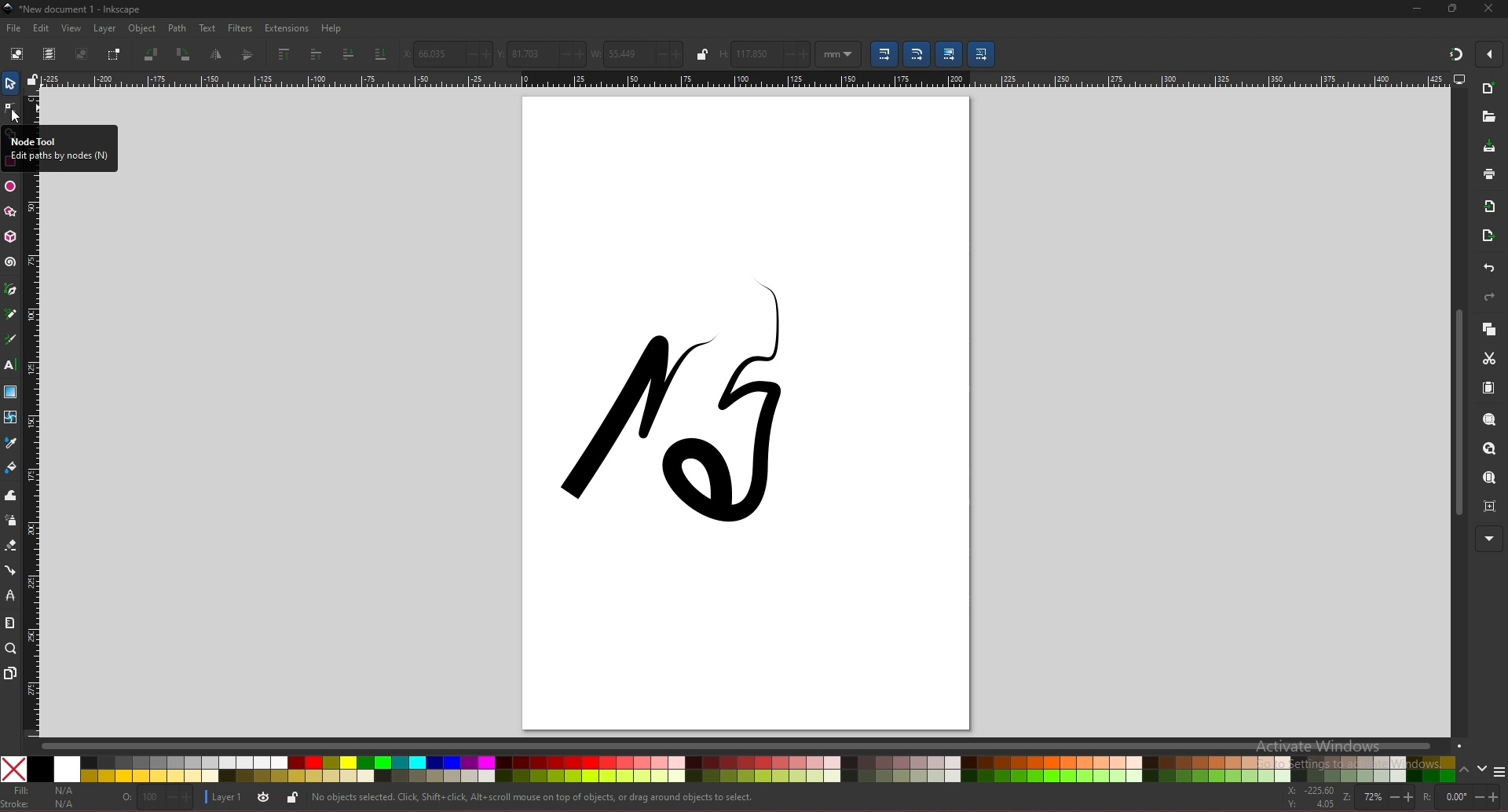  What do you see at coordinates (11, 570) in the screenshot?
I see `connector` at bounding box center [11, 570].